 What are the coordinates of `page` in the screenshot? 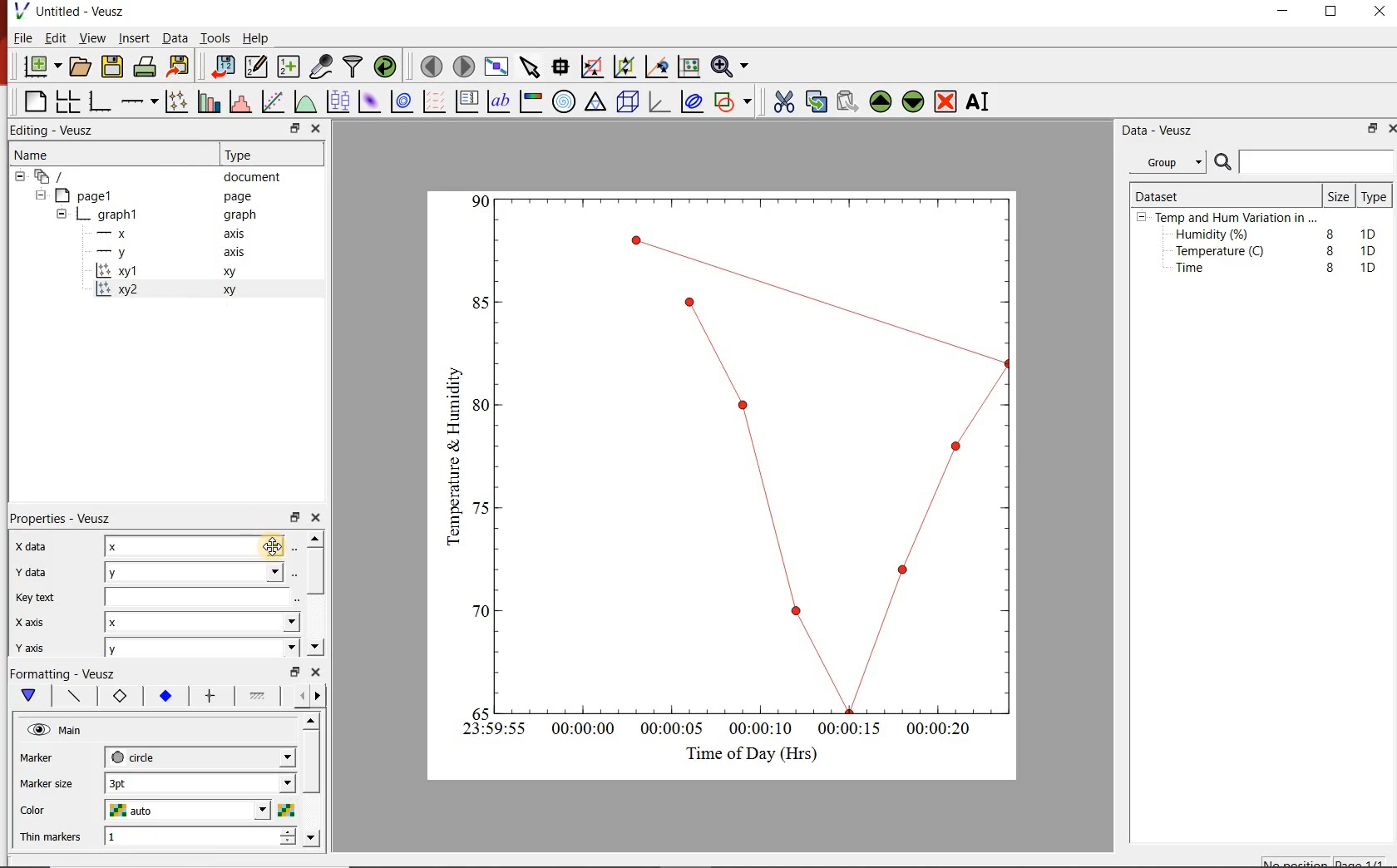 It's located at (241, 197).